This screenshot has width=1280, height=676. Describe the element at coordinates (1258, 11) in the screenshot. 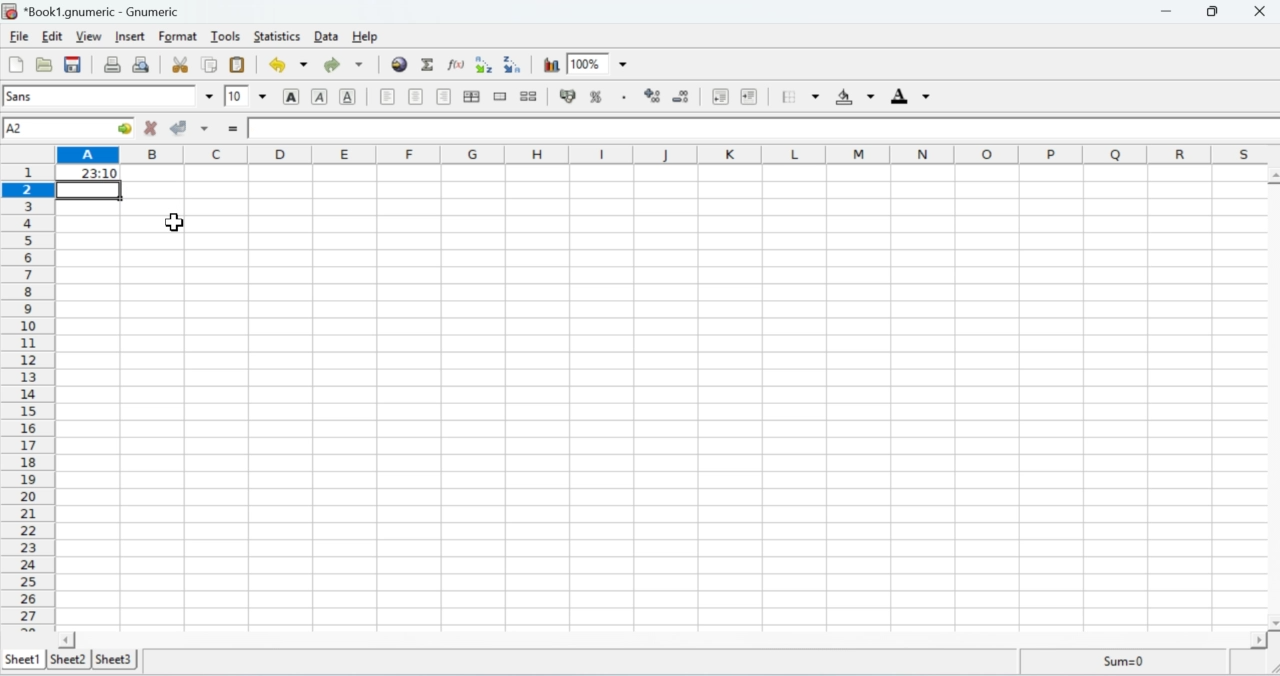

I see `Close` at that location.